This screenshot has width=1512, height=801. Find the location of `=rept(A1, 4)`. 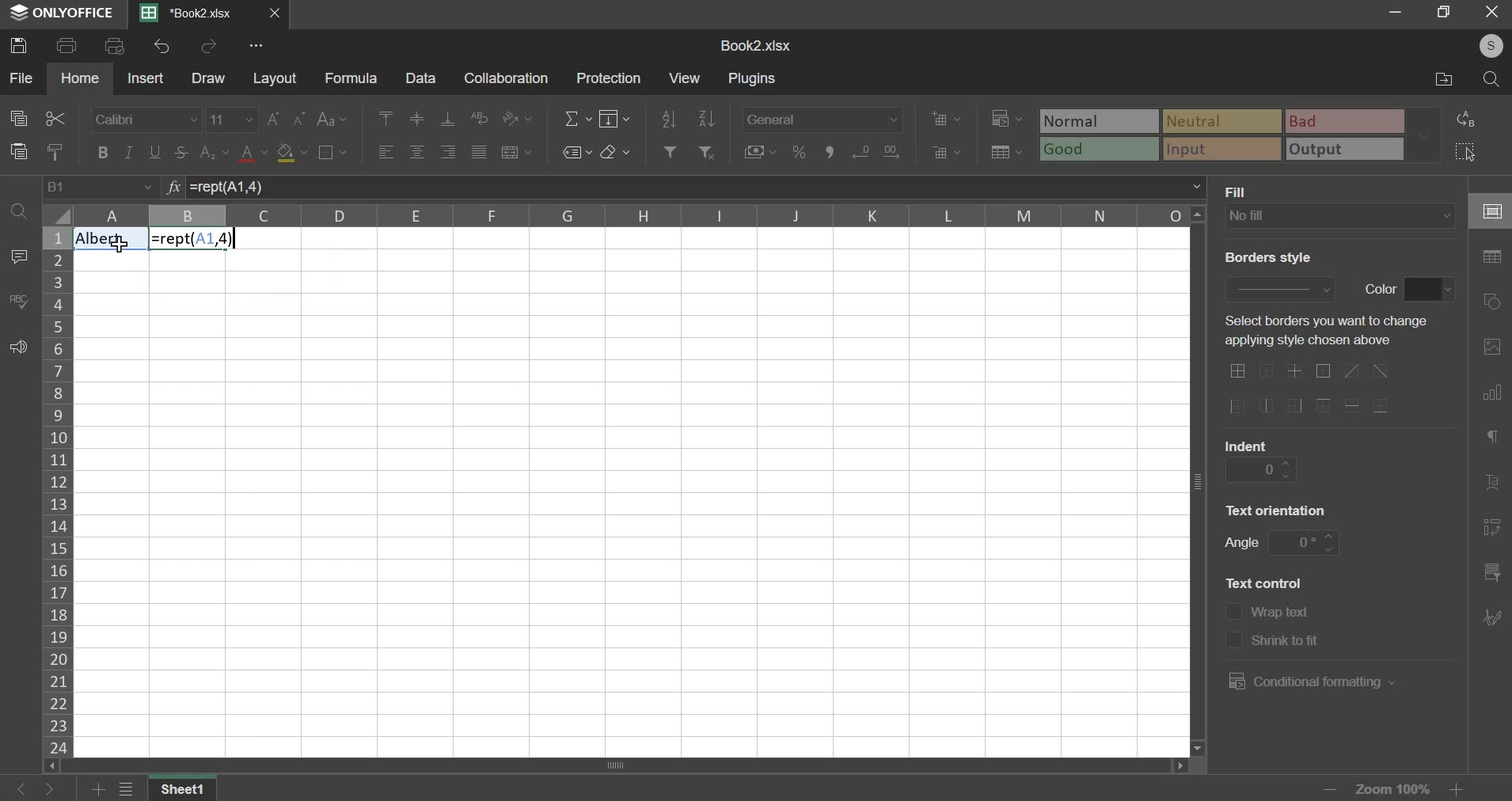

=rept(A1, 4) is located at coordinates (698, 188).